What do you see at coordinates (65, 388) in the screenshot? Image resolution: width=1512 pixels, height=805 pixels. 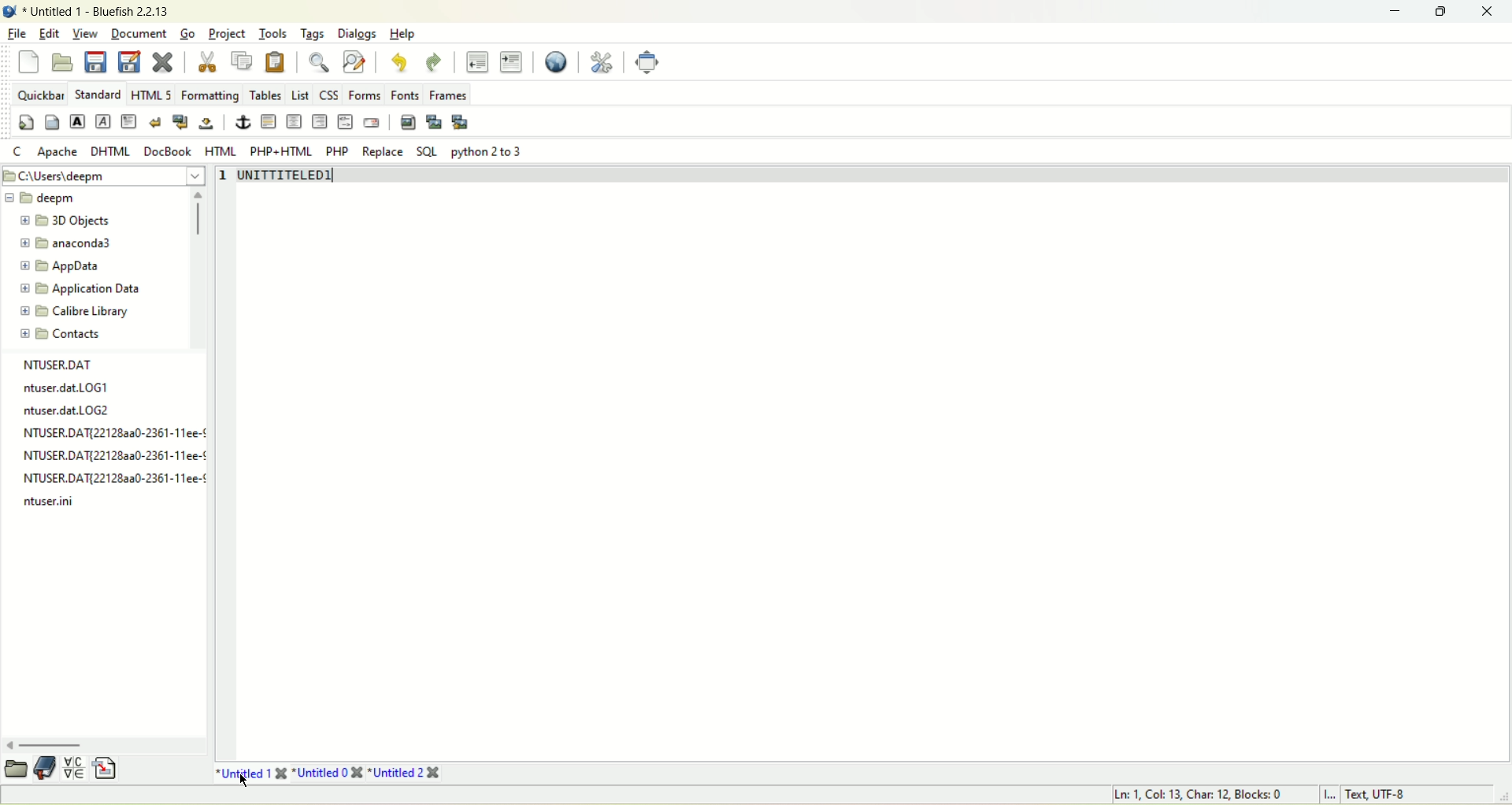 I see `ntuser. dat LOG` at bounding box center [65, 388].